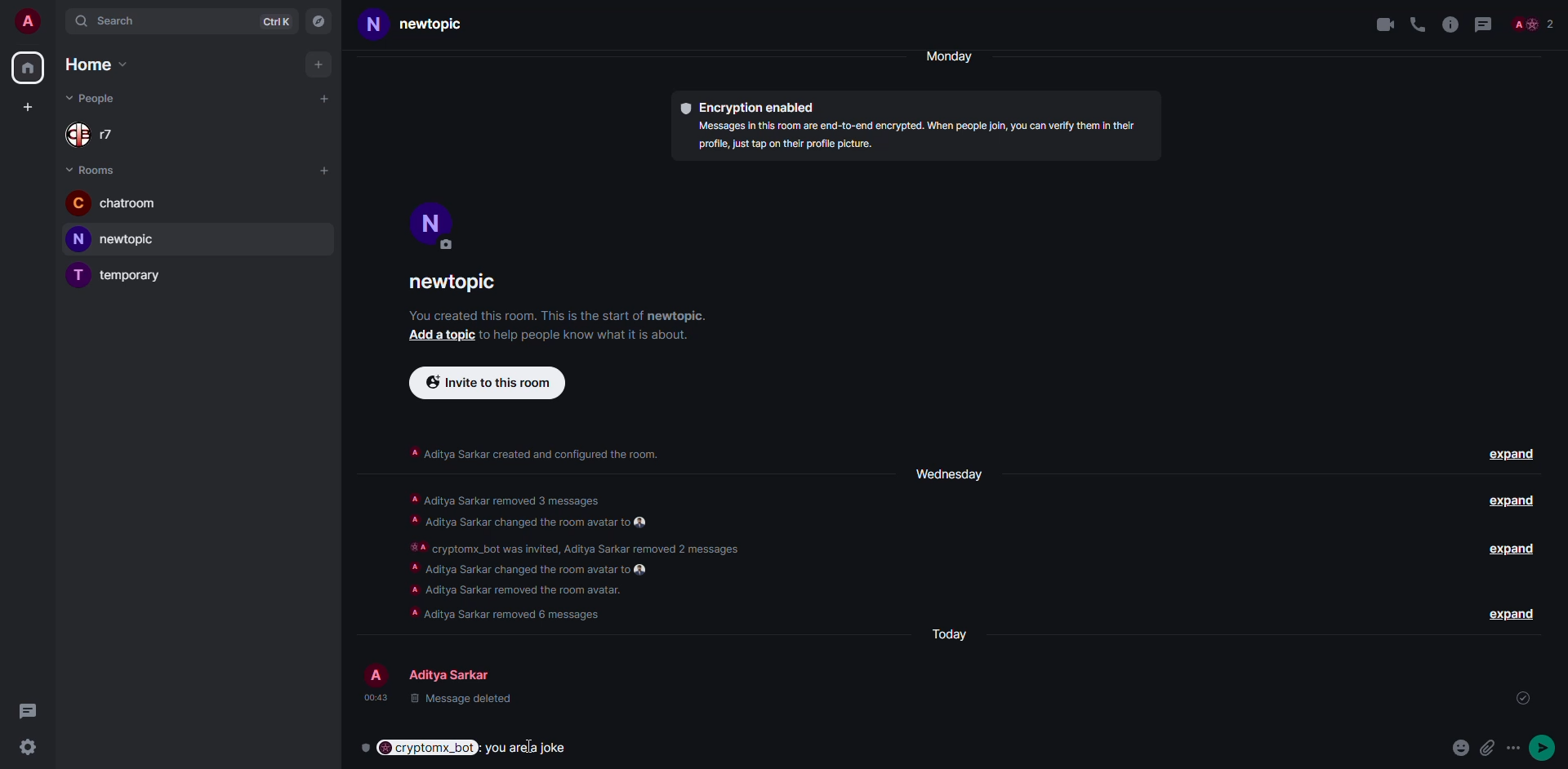 The width and height of the screenshot is (1568, 769). What do you see at coordinates (28, 21) in the screenshot?
I see `profile` at bounding box center [28, 21].